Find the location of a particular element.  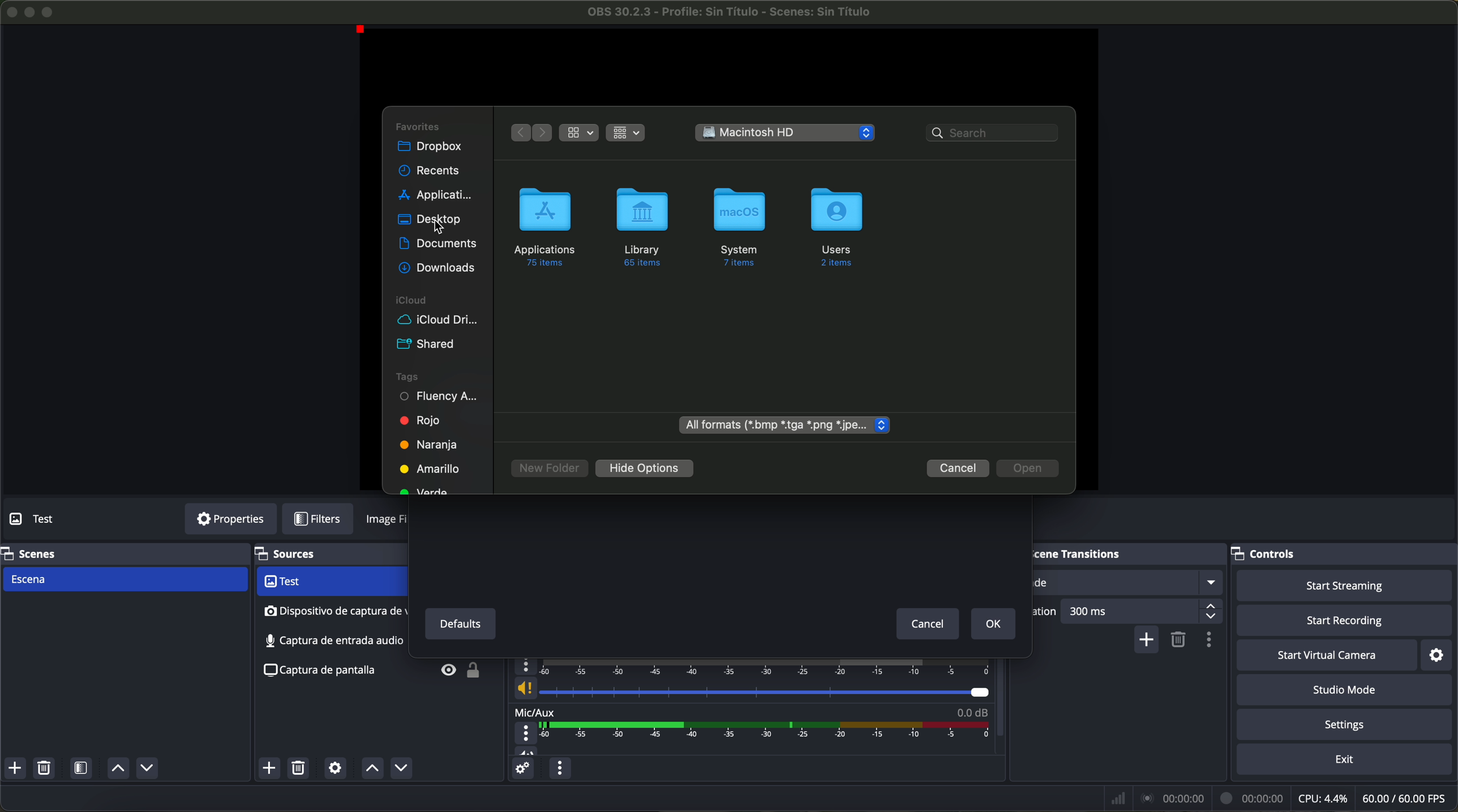

screenshot is located at coordinates (325, 672).